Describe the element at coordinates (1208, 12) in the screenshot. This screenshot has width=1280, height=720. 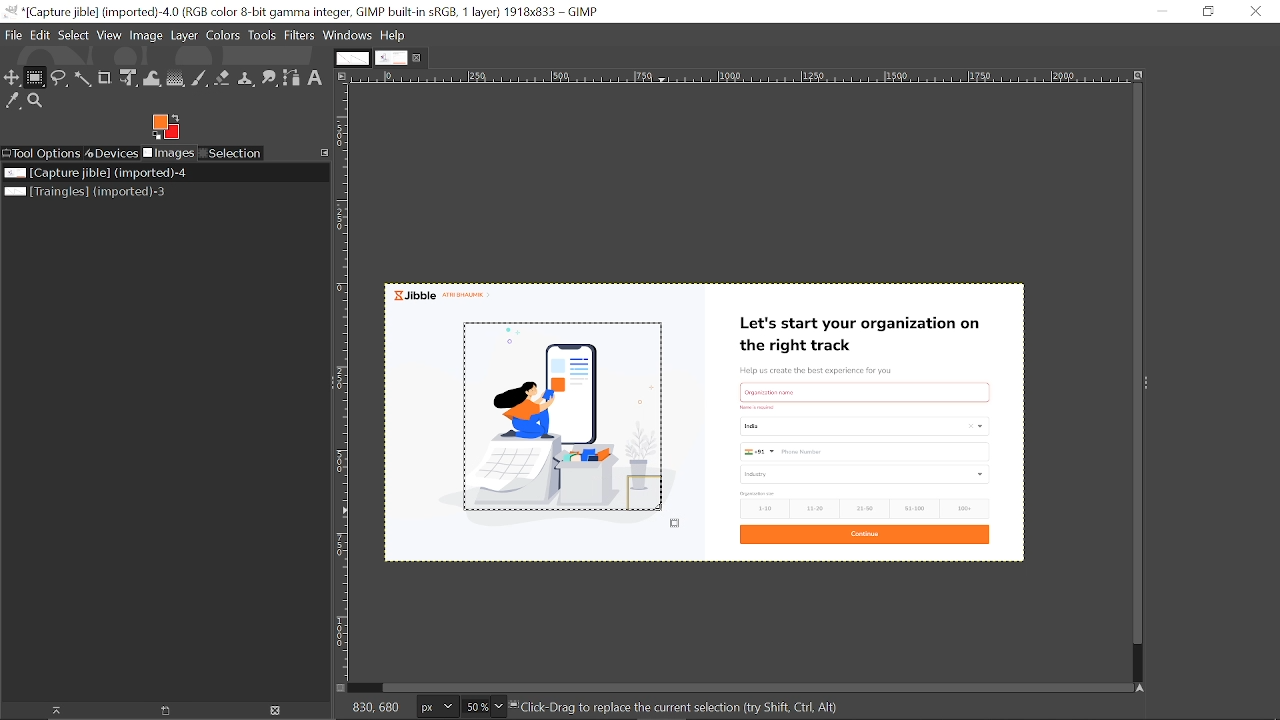
I see `Restore down` at that location.